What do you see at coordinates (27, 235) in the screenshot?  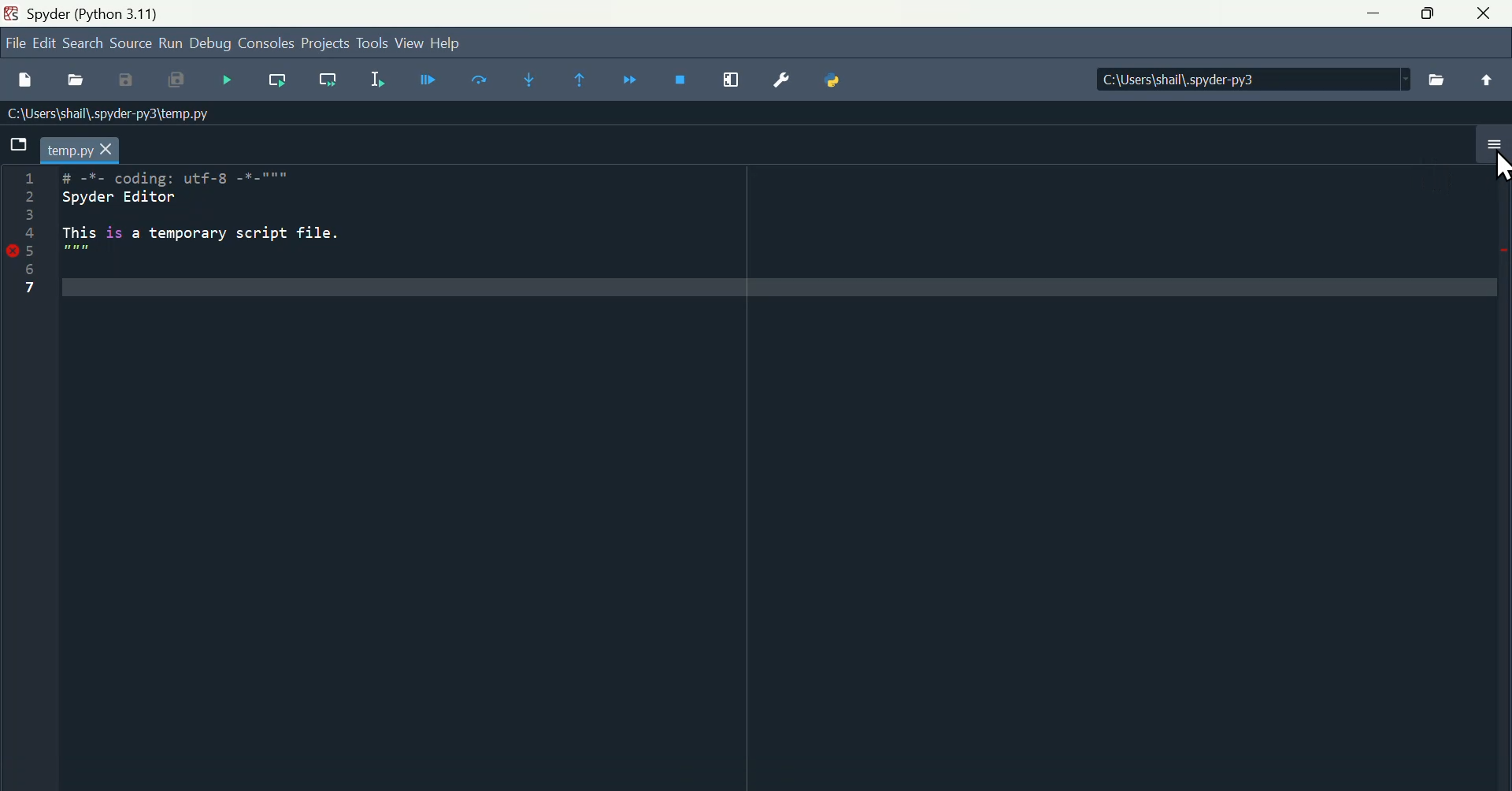 I see `line numbers` at bounding box center [27, 235].